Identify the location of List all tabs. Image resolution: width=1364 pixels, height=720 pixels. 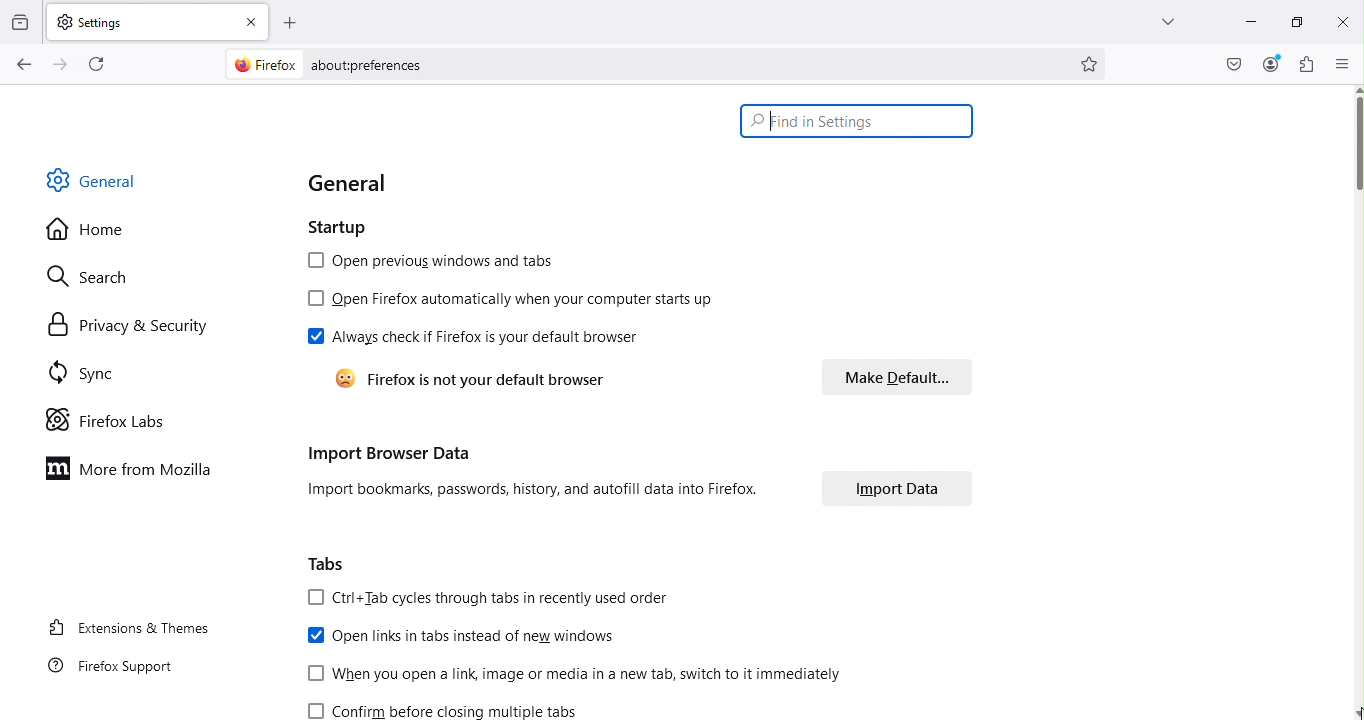
(1162, 21).